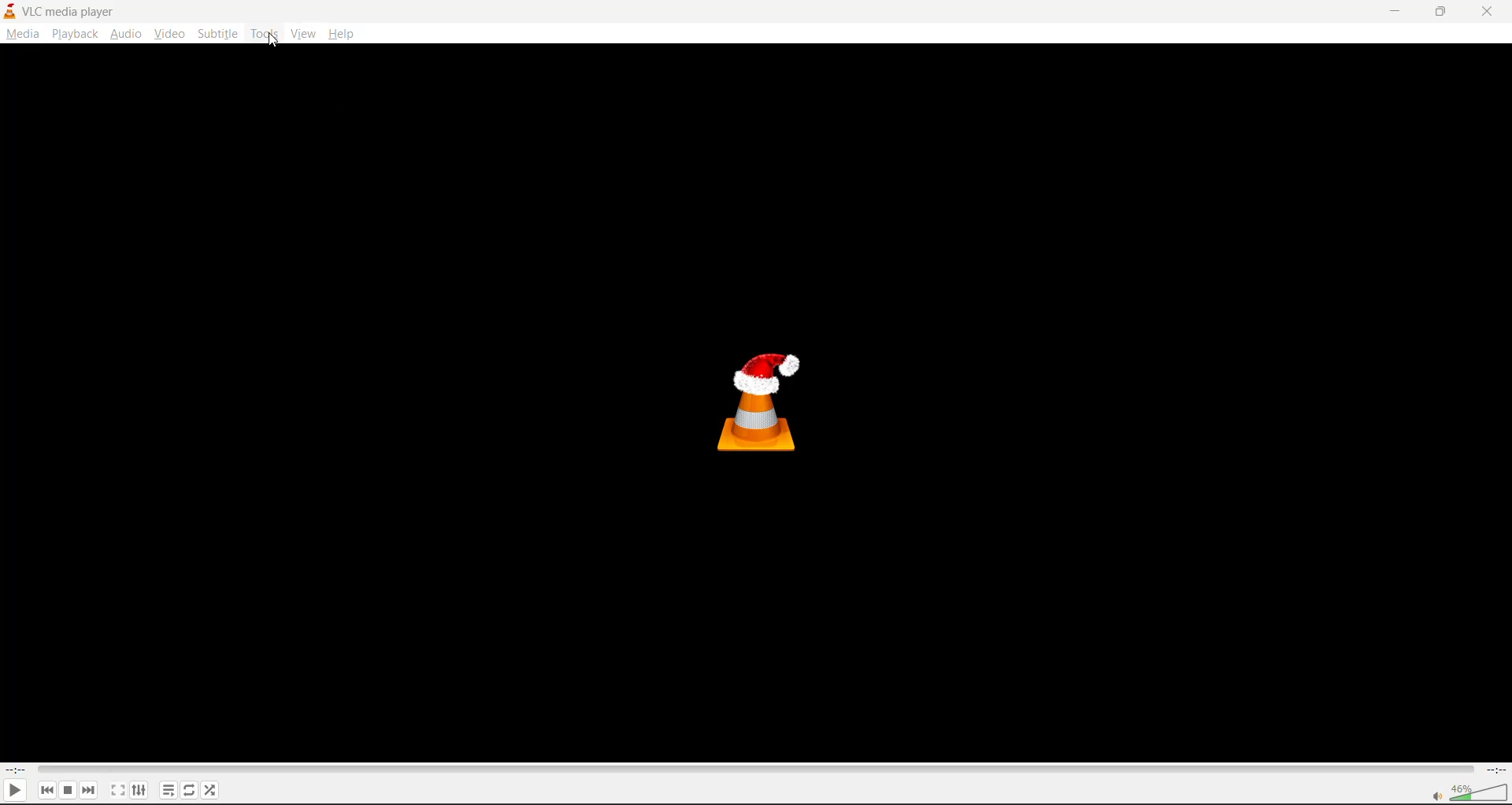  I want to click on media, so click(20, 33).